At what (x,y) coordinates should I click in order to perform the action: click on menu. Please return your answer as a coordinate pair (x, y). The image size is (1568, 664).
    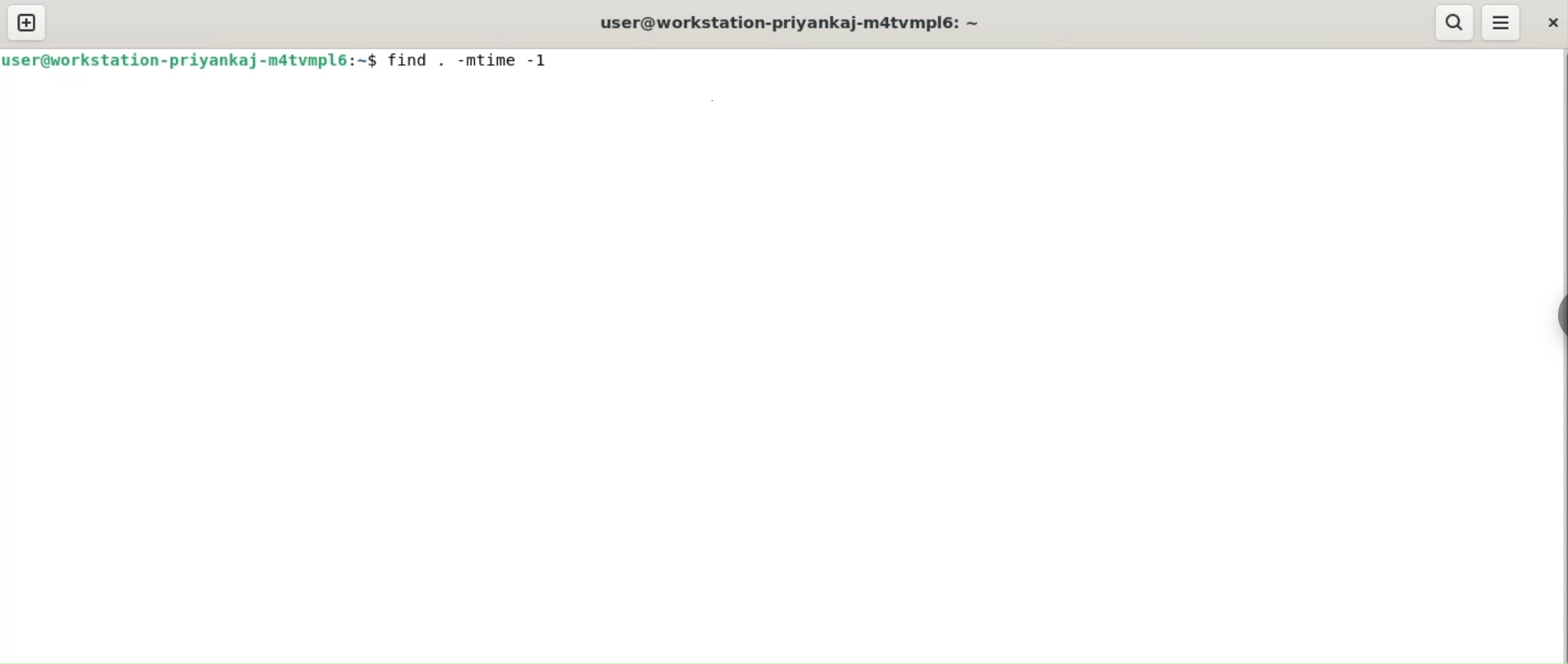
    Looking at the image, I should click on (1502, 22).